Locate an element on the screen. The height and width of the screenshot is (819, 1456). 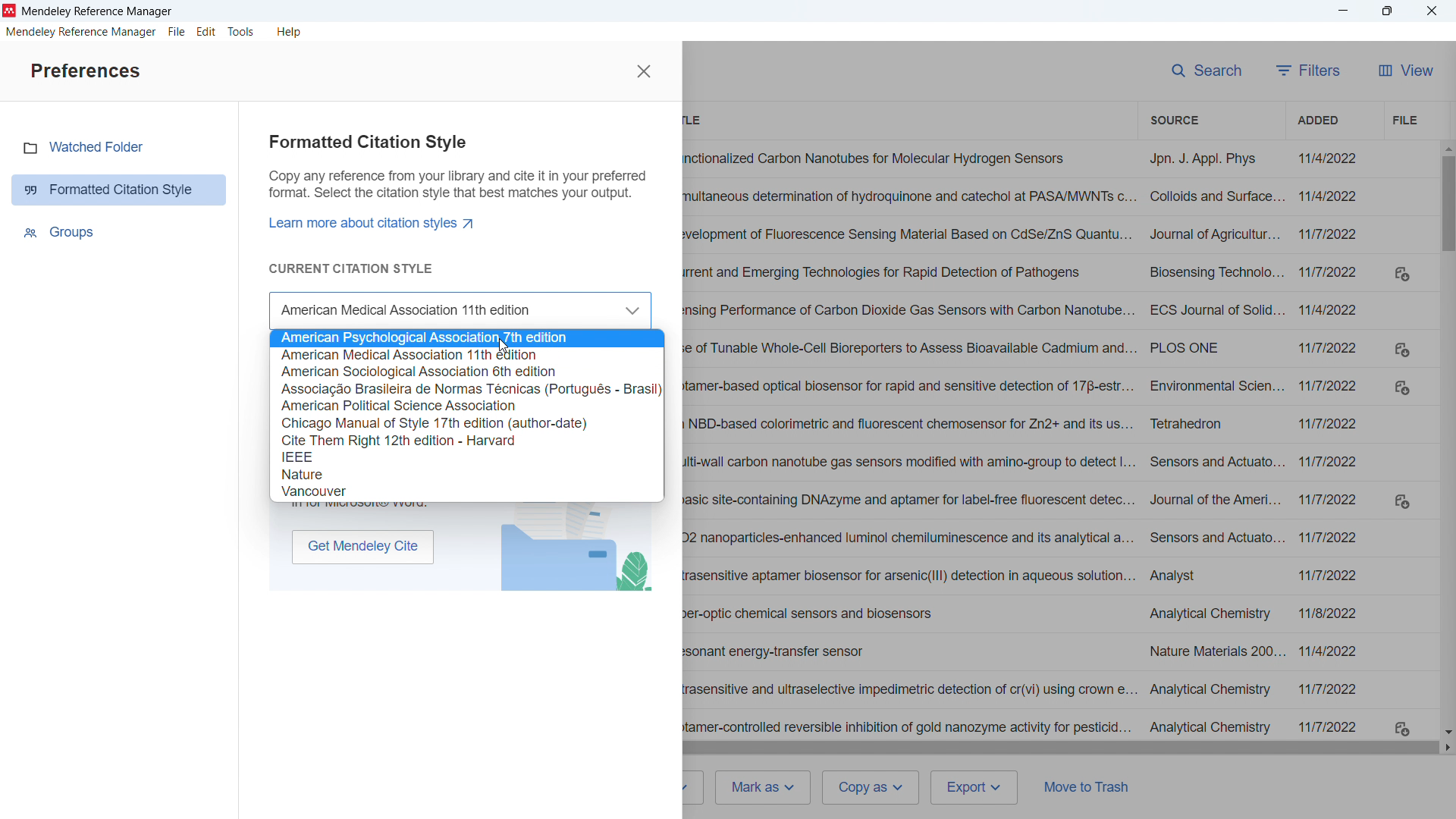
Formatted citation style  is located at coordinates (459, 170).